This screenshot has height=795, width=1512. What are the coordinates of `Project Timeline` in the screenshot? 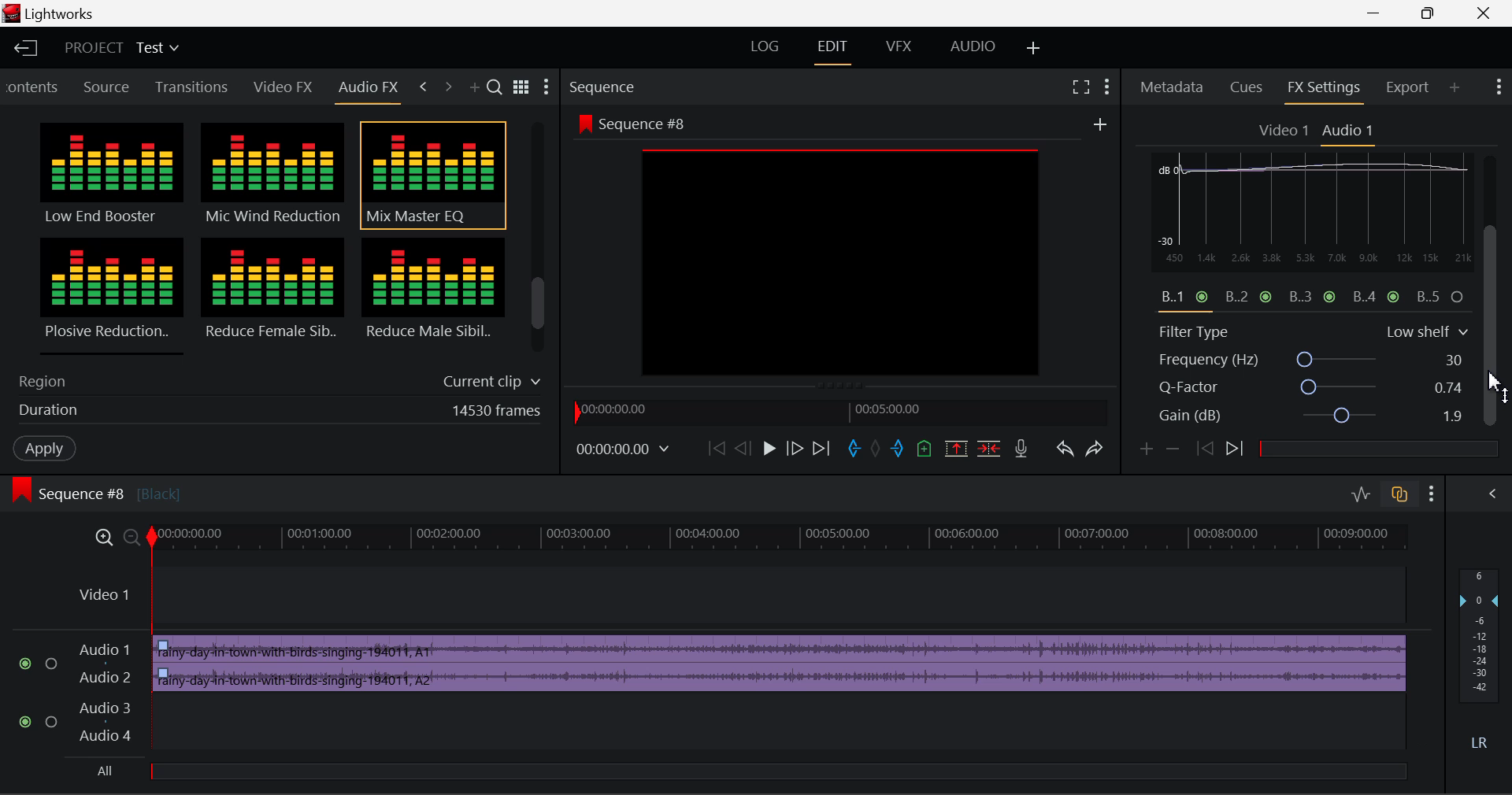 It's located at (783, 539).